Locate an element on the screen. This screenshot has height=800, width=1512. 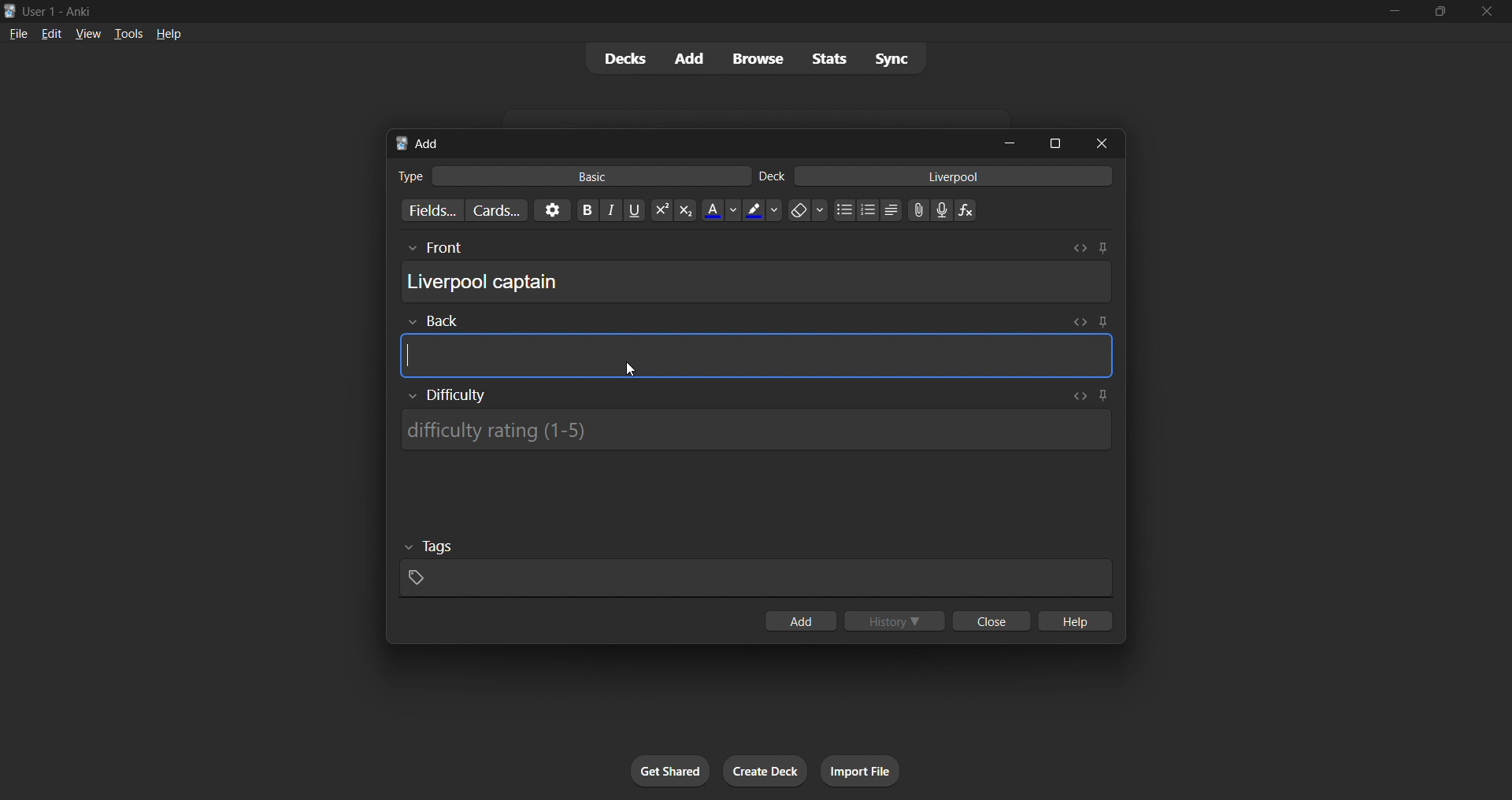
view is located at coordinates (88, 33).